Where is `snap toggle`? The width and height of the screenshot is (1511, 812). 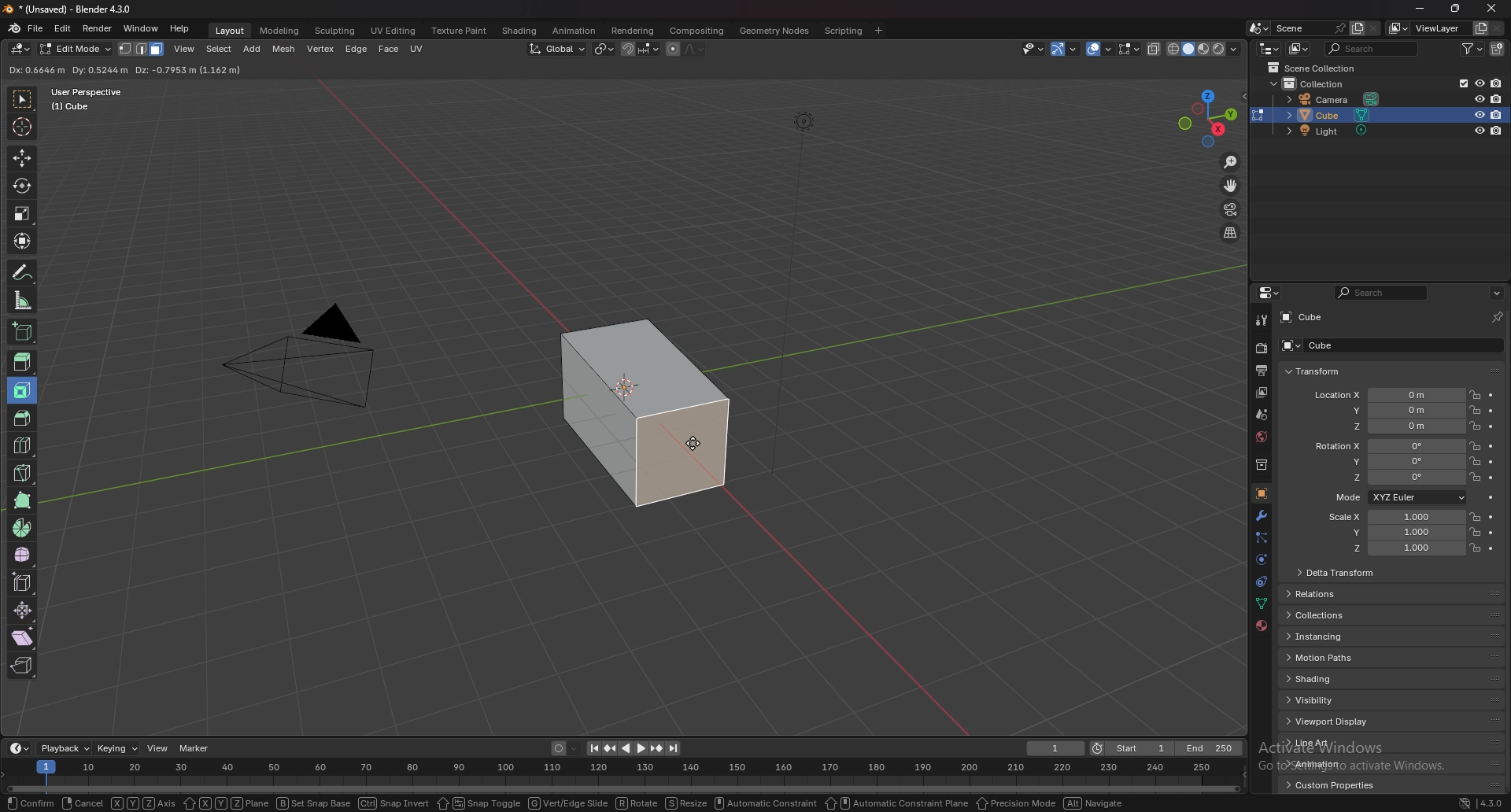 snap toggle is located at coordinates (478, 803).